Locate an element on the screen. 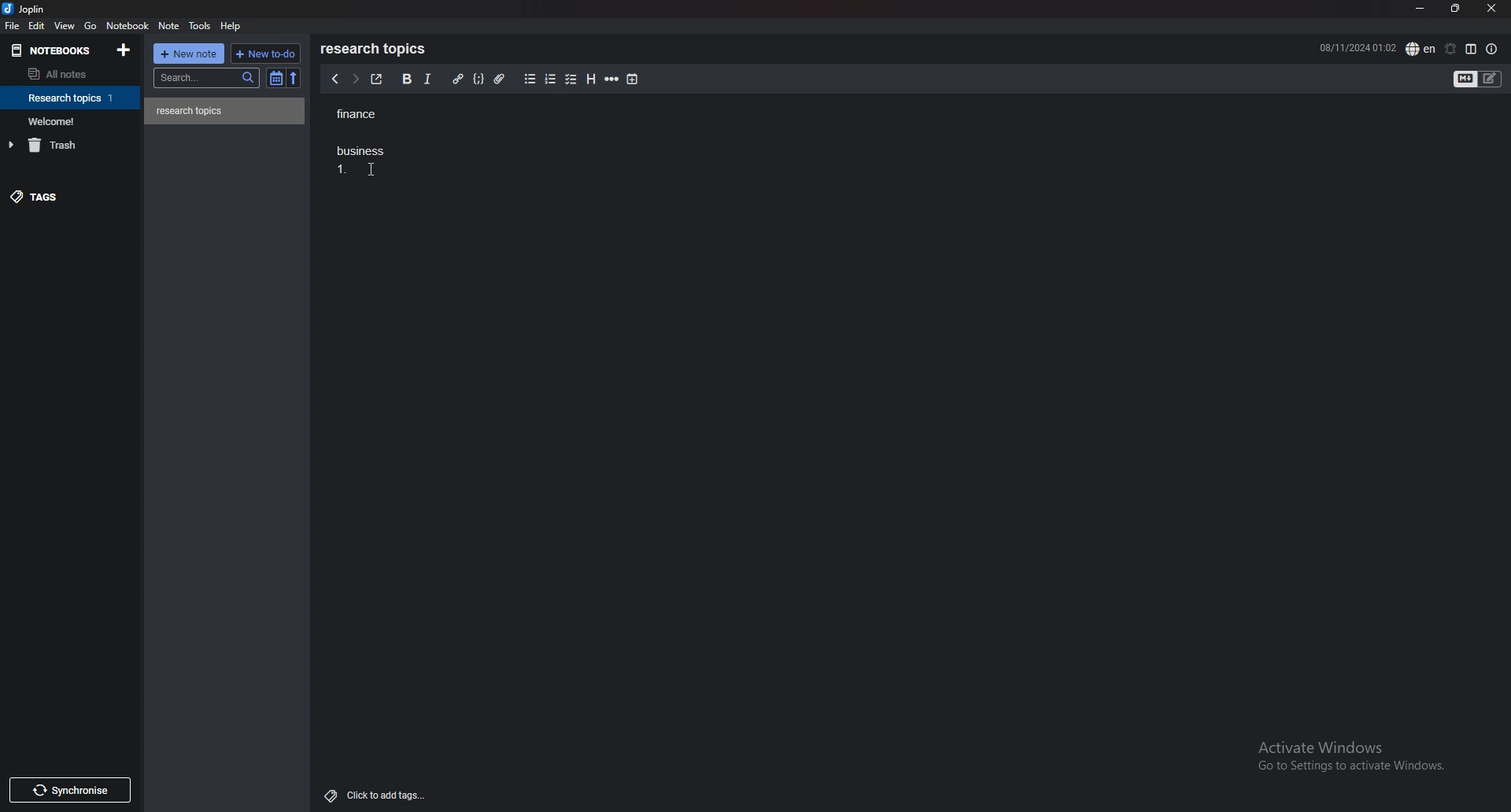  bullet list is located at coordinates (530, 79).